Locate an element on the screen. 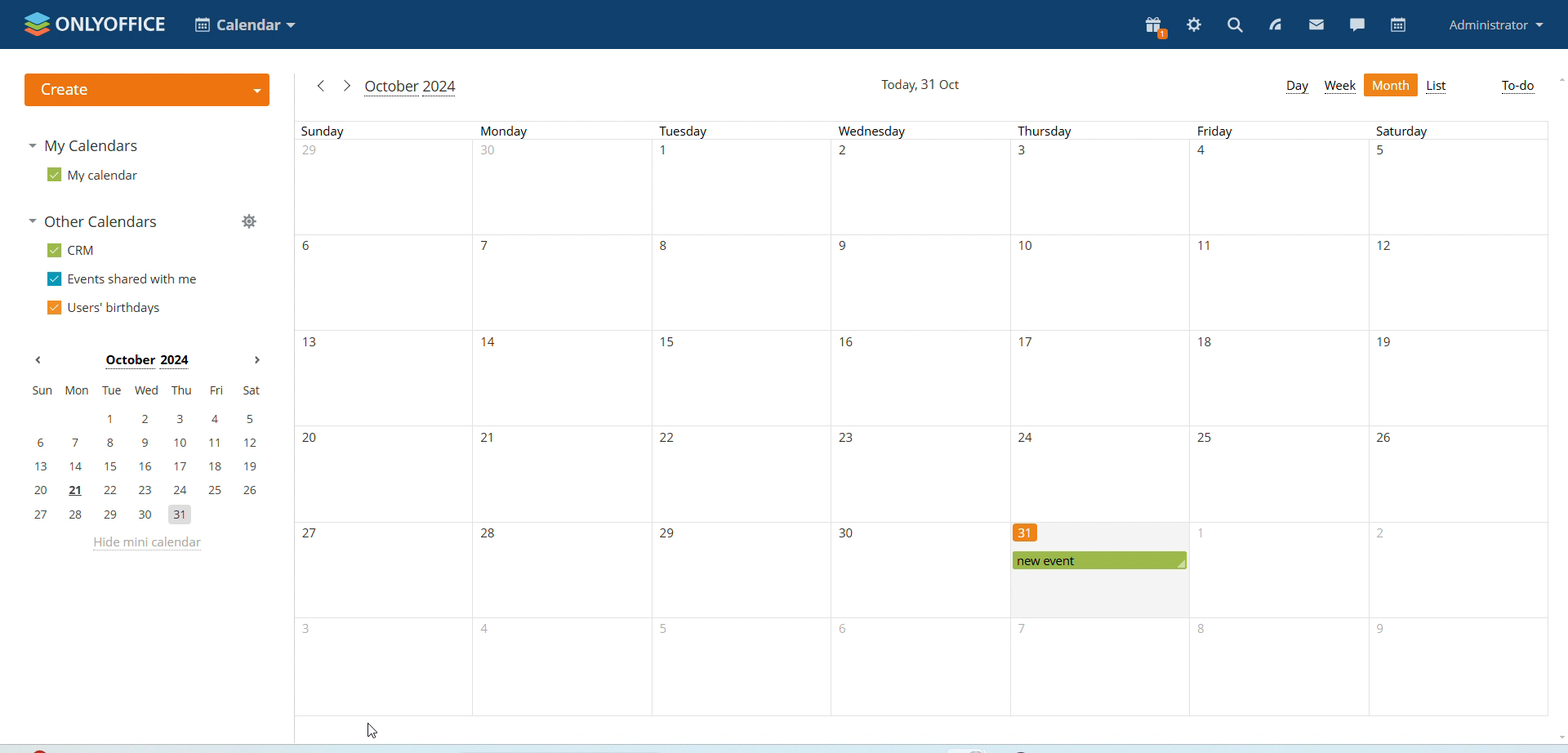 This screenshot has height=753, width=1568. feed is located at coordinates (1274, 26).